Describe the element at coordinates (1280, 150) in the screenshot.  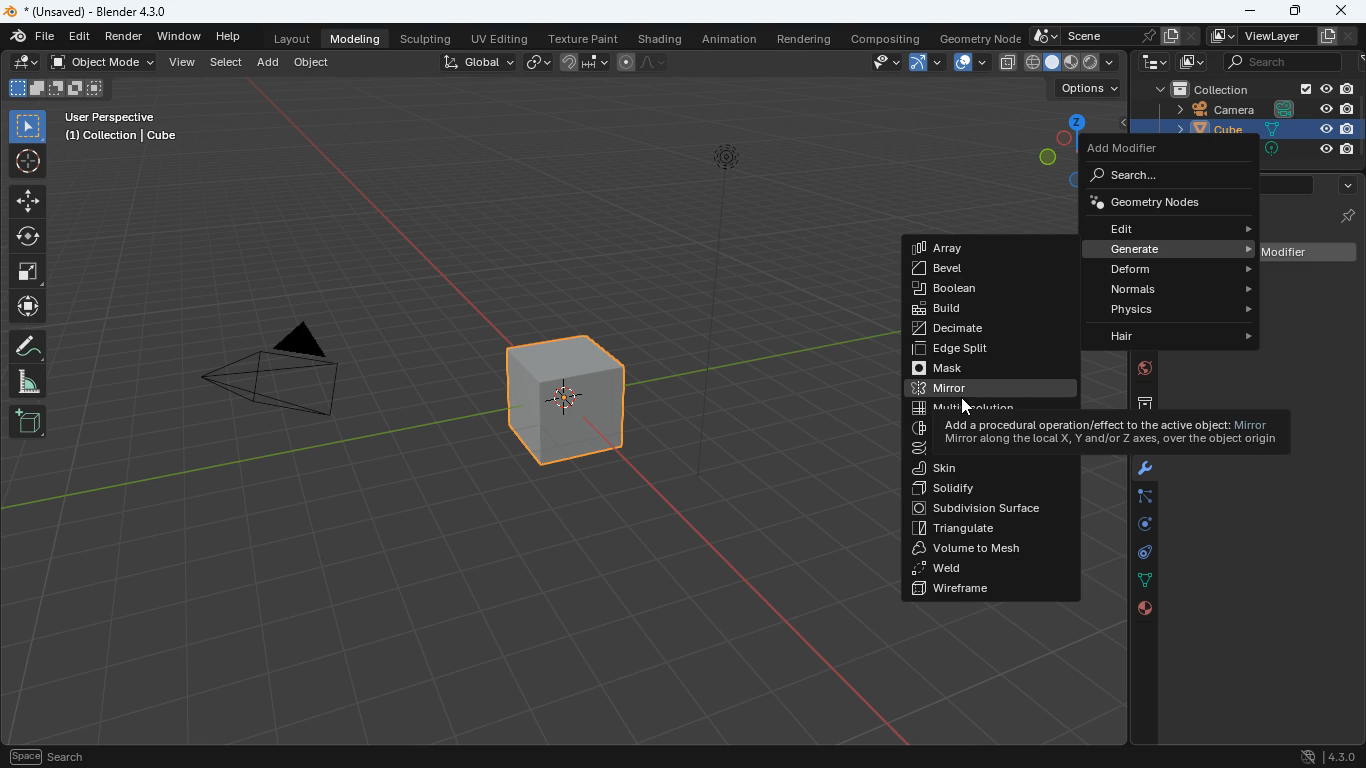
I see `` at that location.